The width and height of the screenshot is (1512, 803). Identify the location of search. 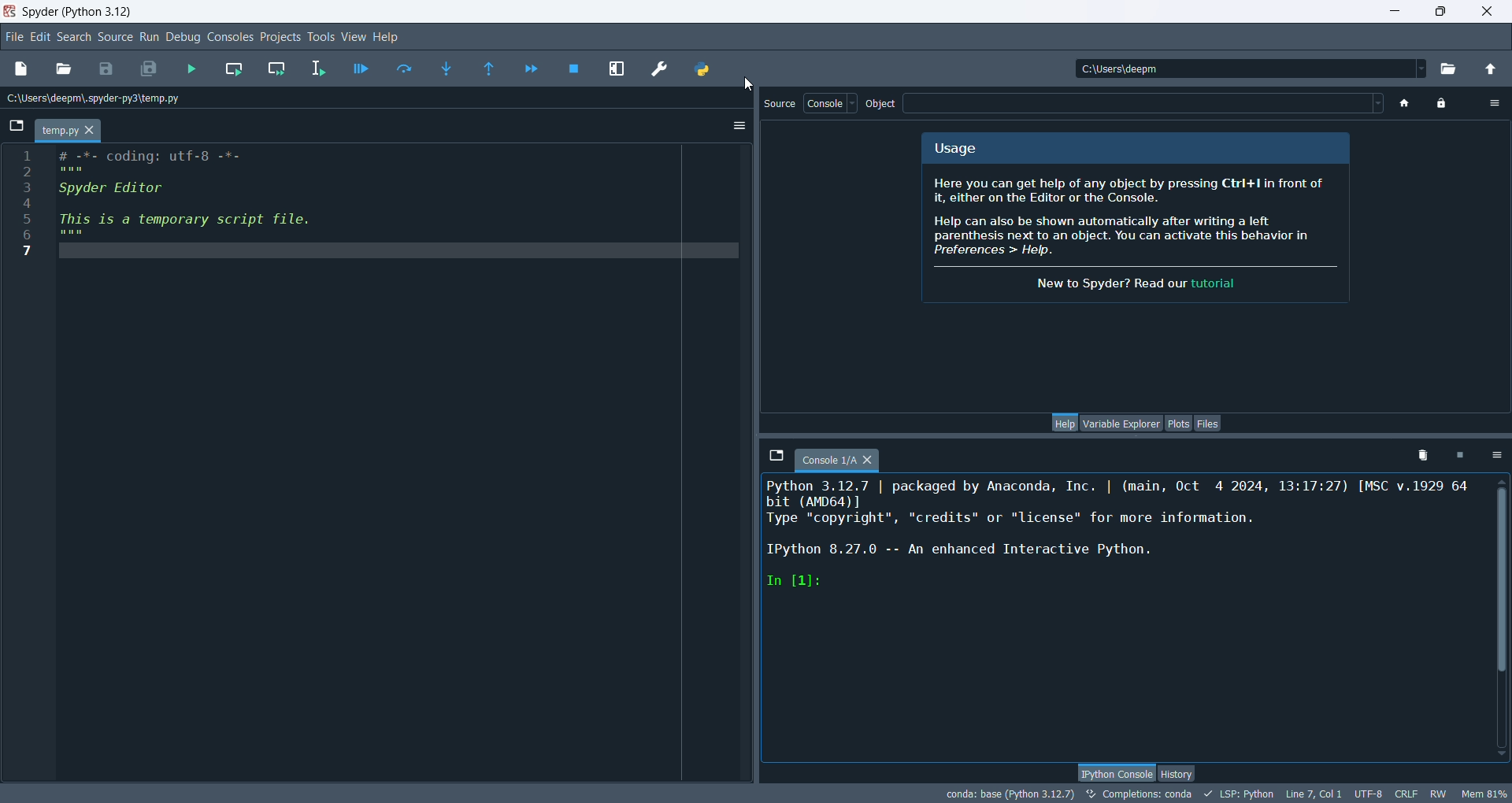
(75, 36).